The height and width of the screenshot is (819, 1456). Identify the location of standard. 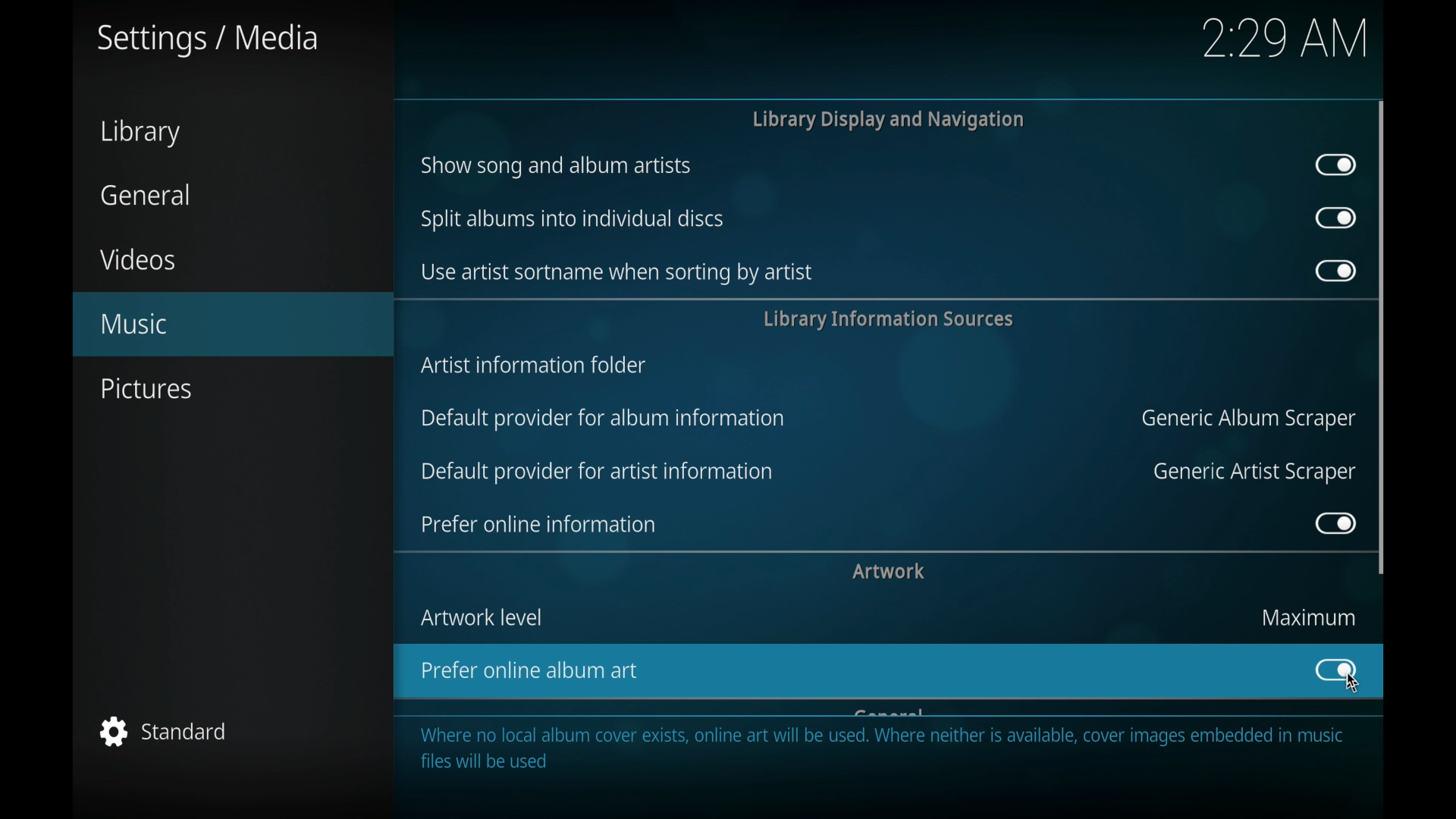
(165, 733).